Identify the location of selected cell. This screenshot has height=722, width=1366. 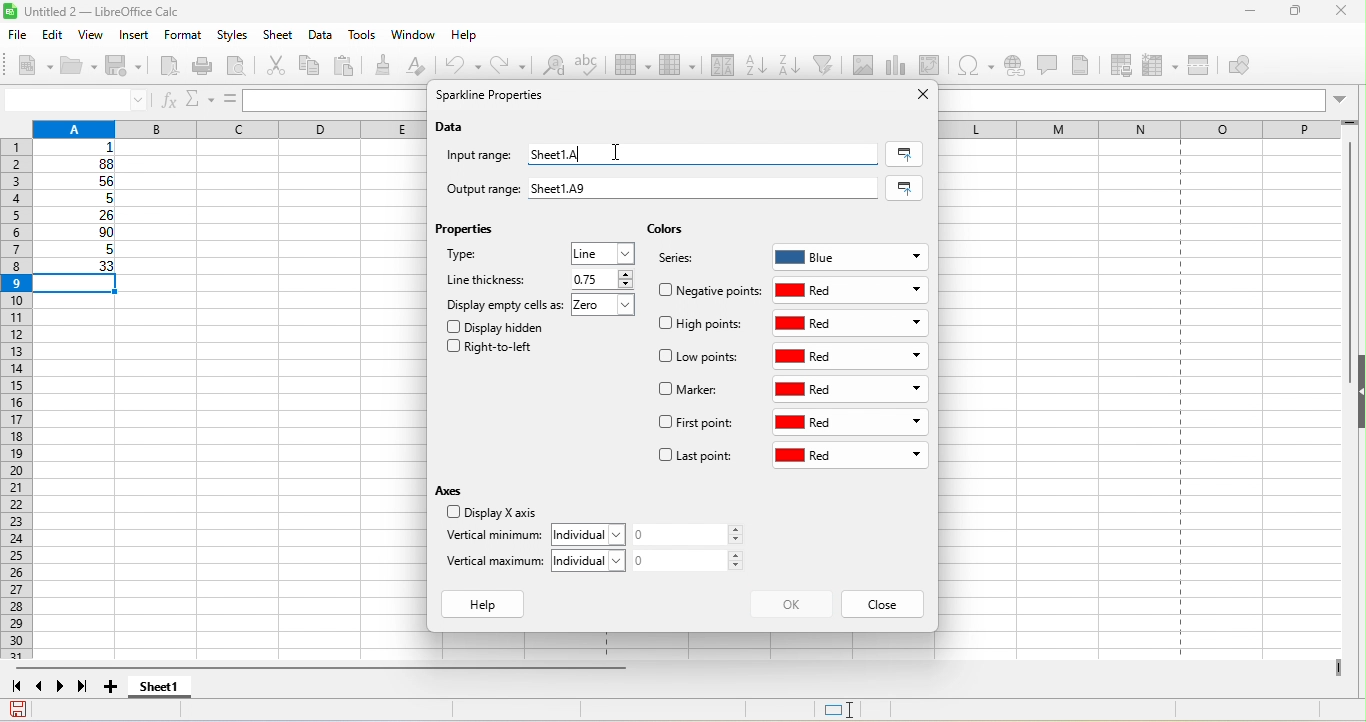
(81, 285).